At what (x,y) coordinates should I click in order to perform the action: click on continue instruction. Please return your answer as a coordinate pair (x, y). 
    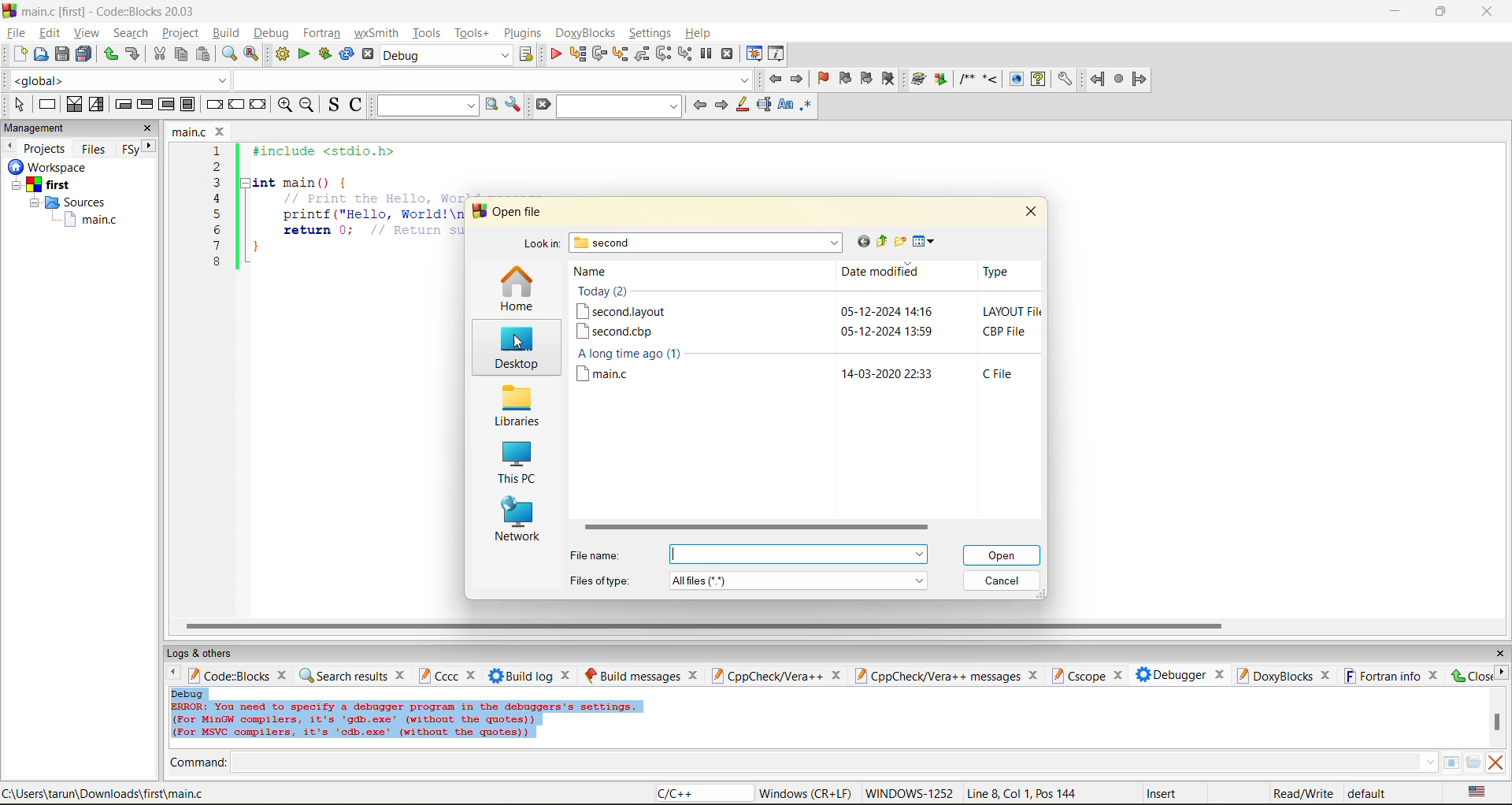
    Looking at the image, I should click on (235, 106).